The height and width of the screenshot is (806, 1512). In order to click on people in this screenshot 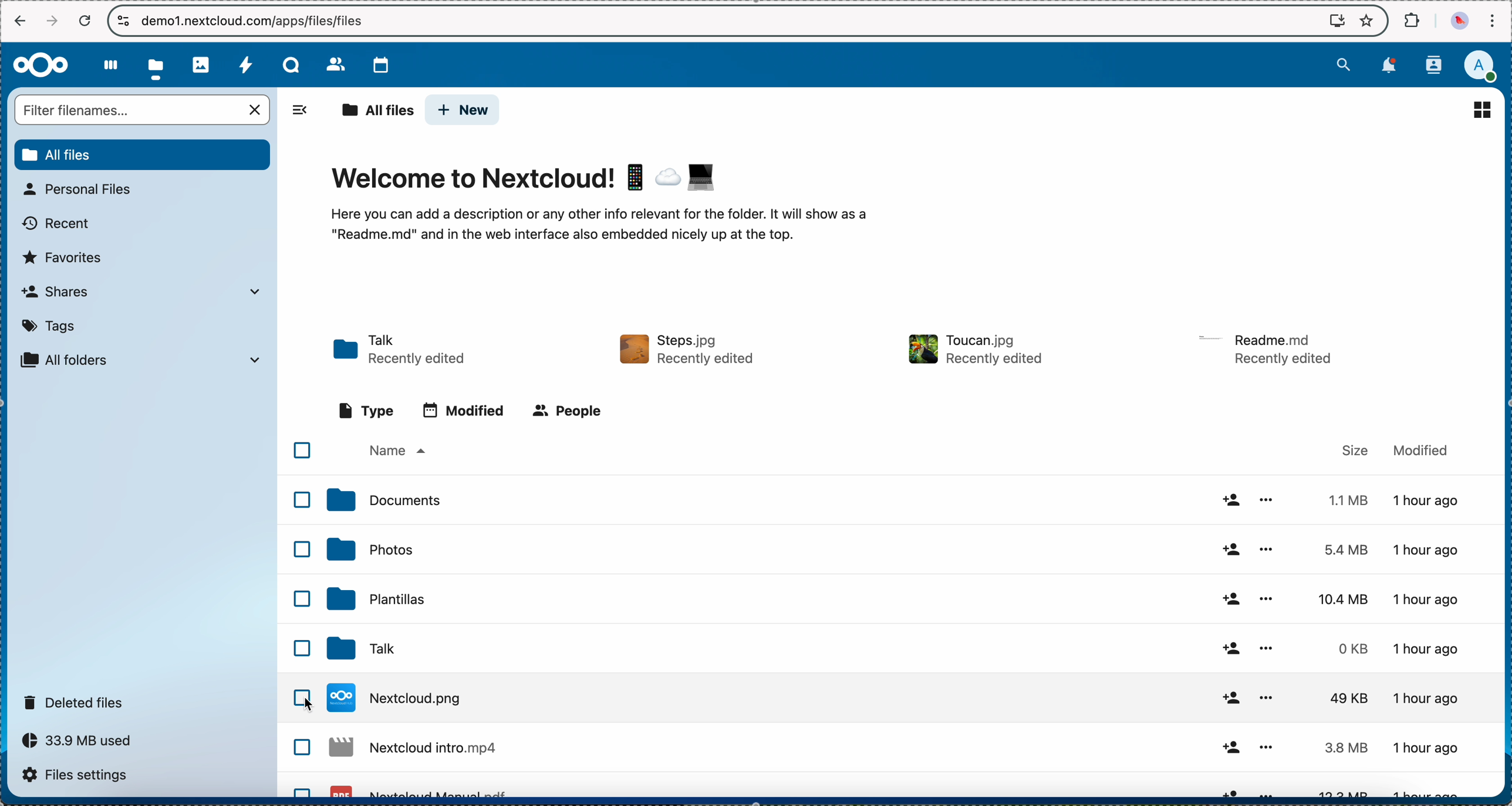, I will do `click(570, 410)`.